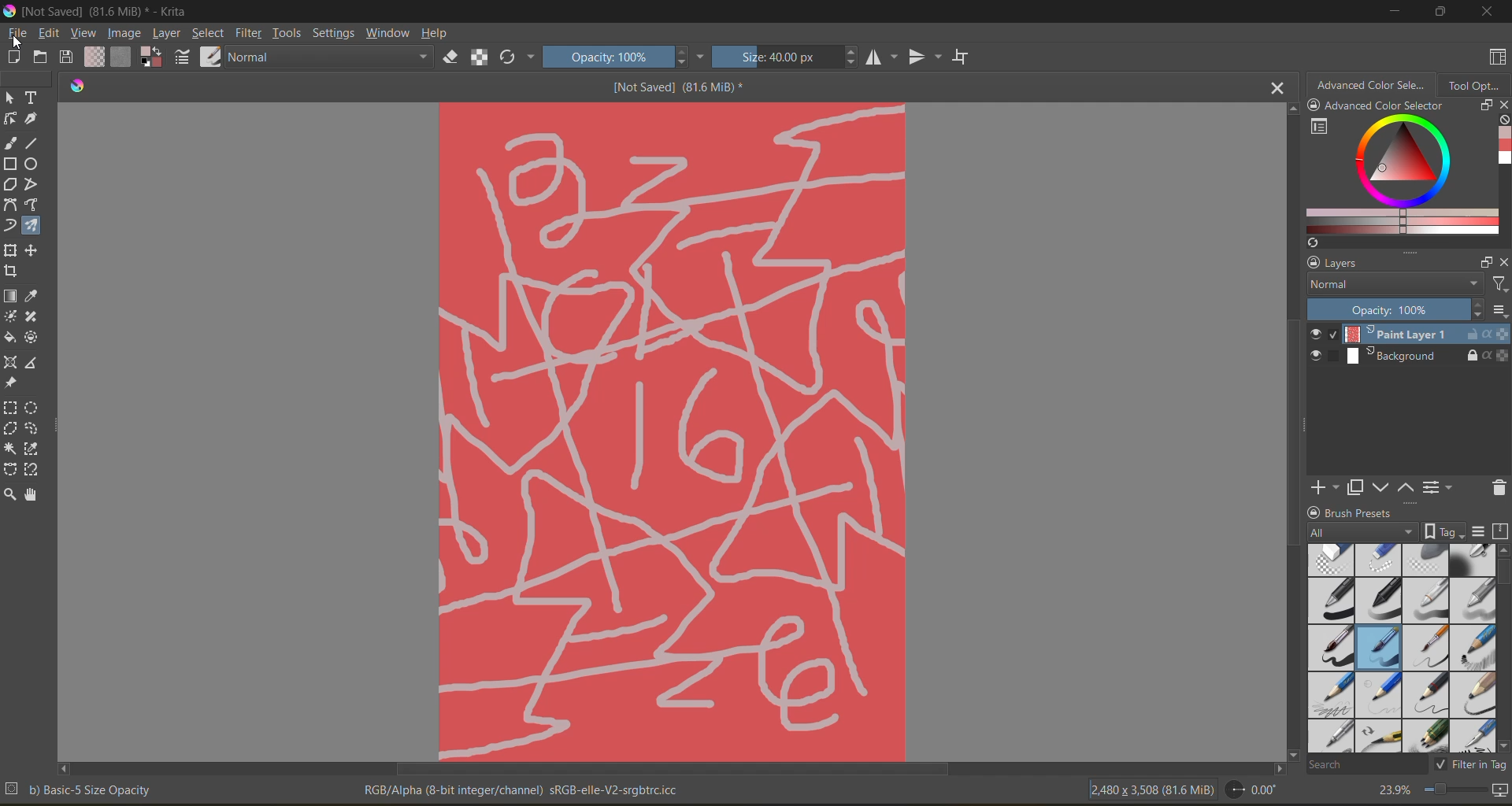 The height and width of the screenshot is (806, 1512). I want to click on opacity, so click(621, 56).